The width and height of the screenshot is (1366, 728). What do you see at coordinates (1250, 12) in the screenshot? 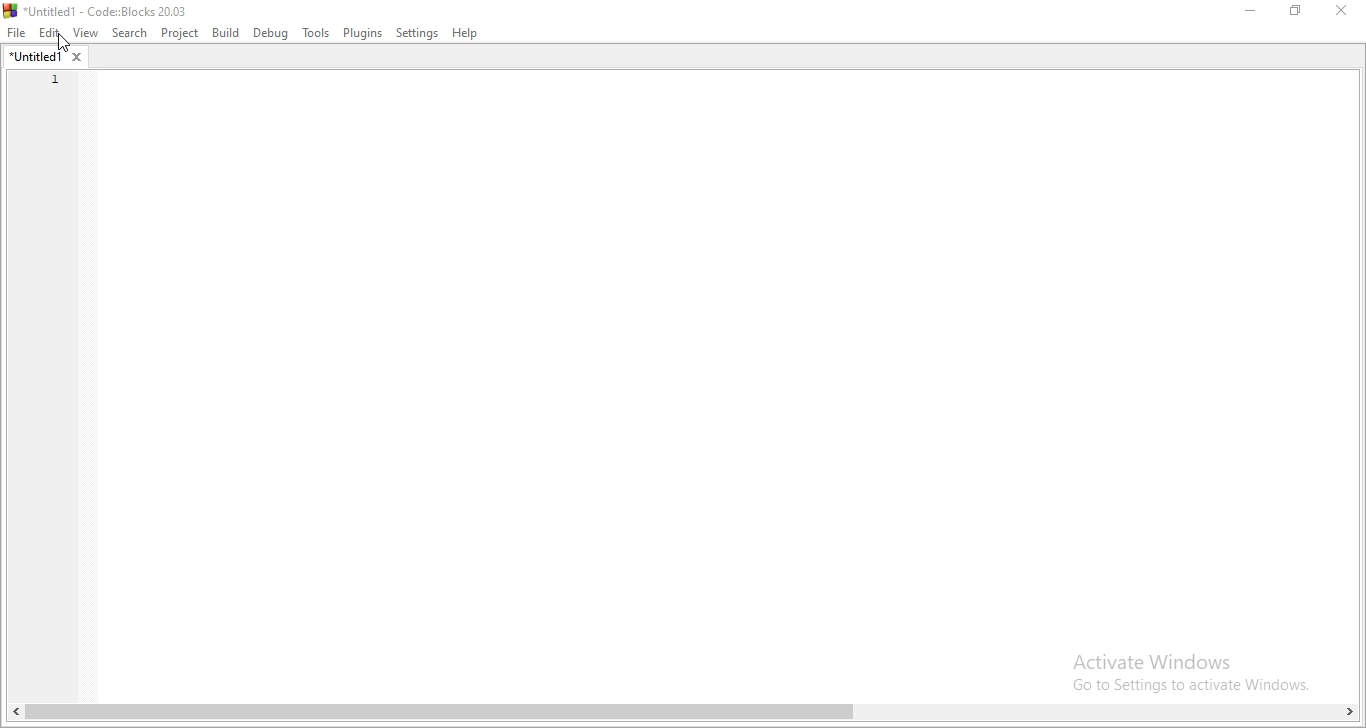
I see `Minimise` at bounding box center [1250, 12].